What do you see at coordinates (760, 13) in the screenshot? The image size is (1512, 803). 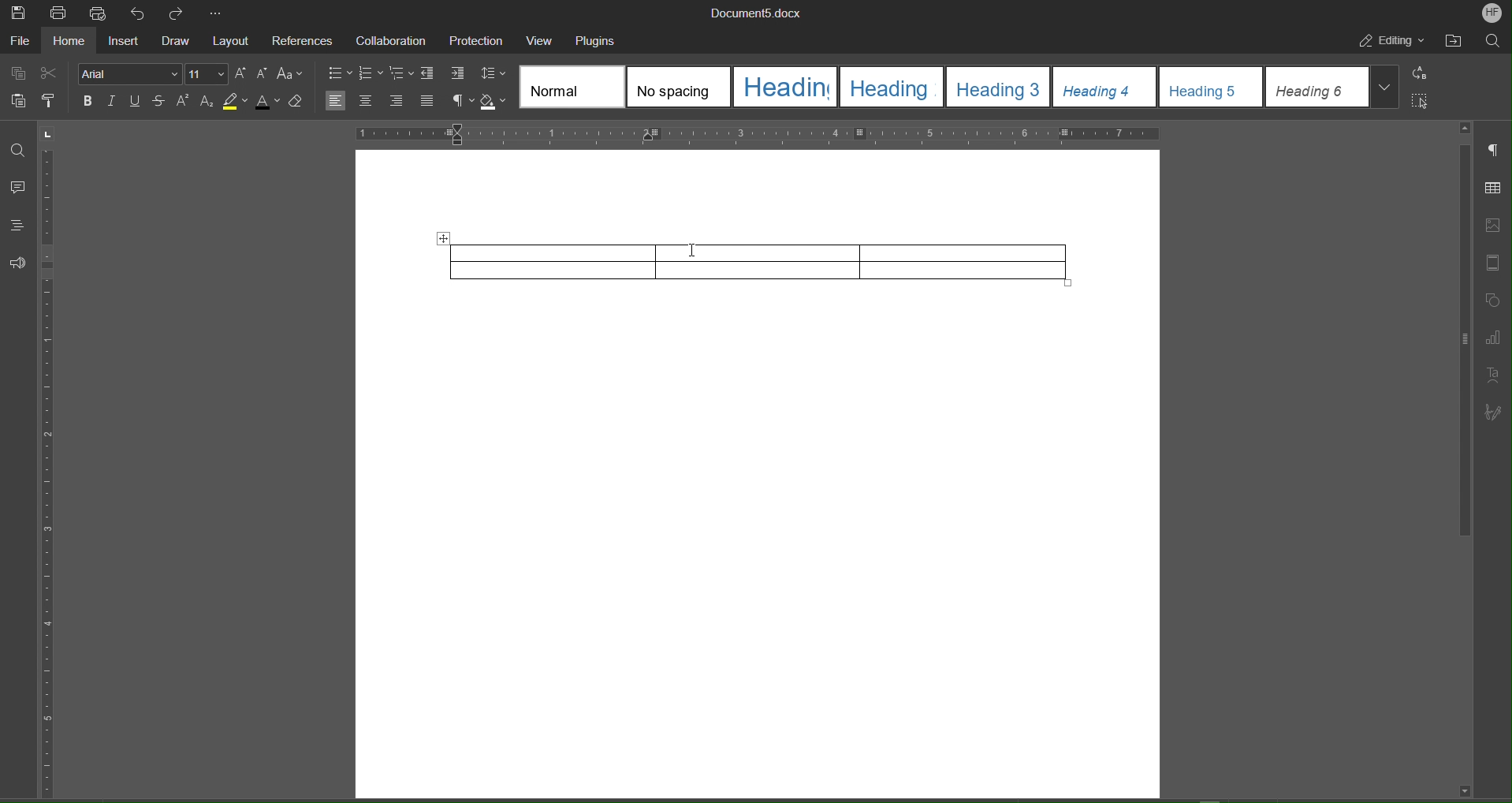 I see `Document Name` at bounding box center [760, 13].